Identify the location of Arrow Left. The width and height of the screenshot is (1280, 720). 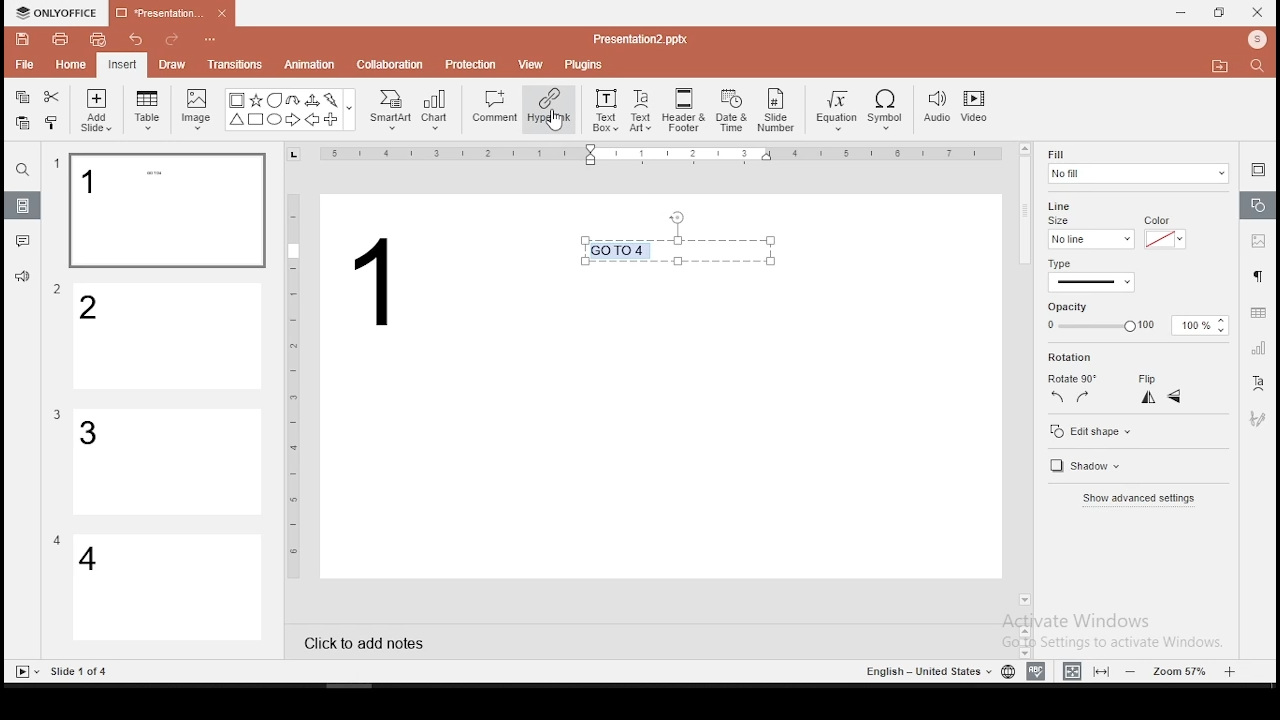
(312, 120).